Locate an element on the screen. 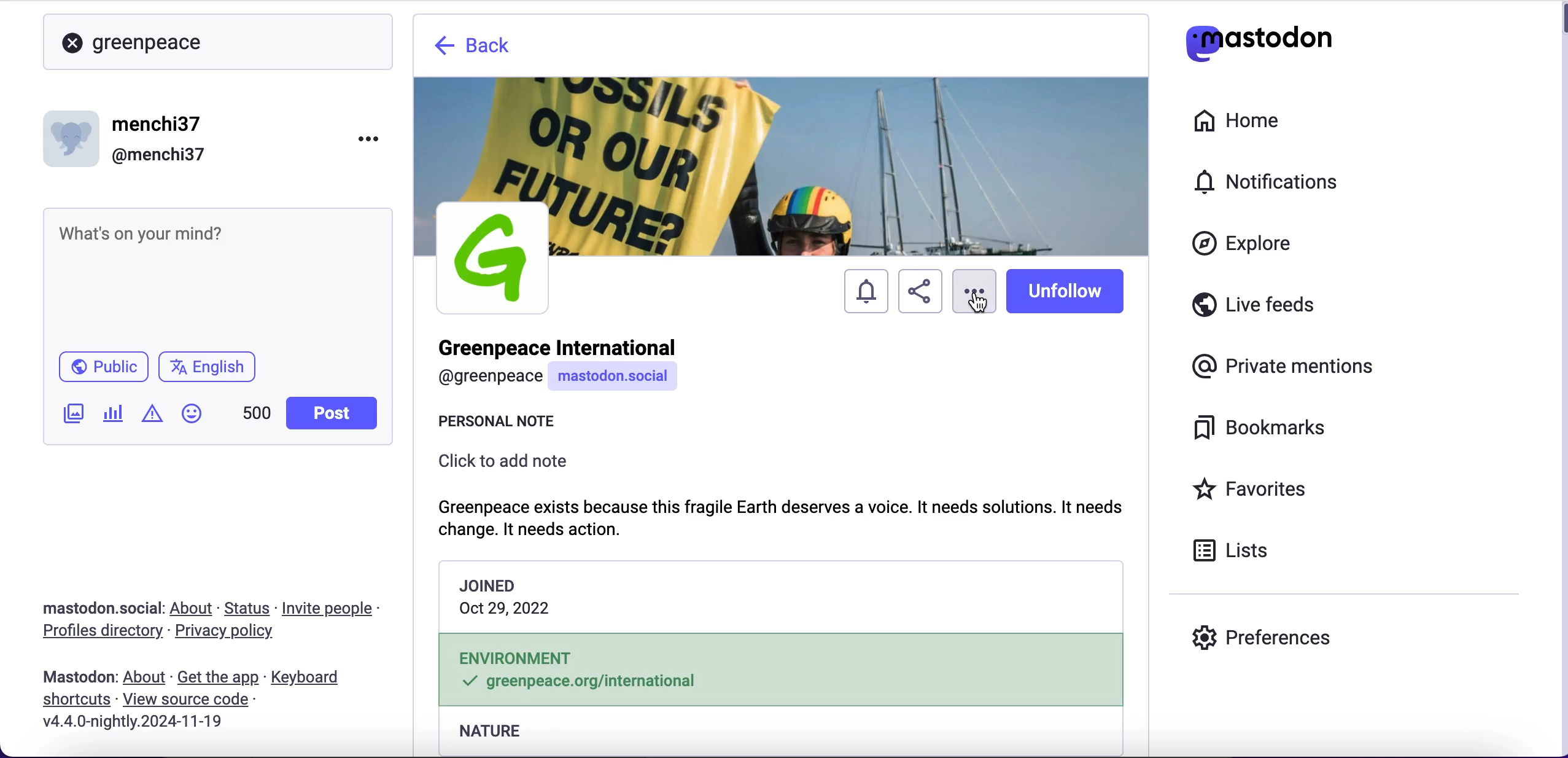  notifications is located at coordinates (863, 292).